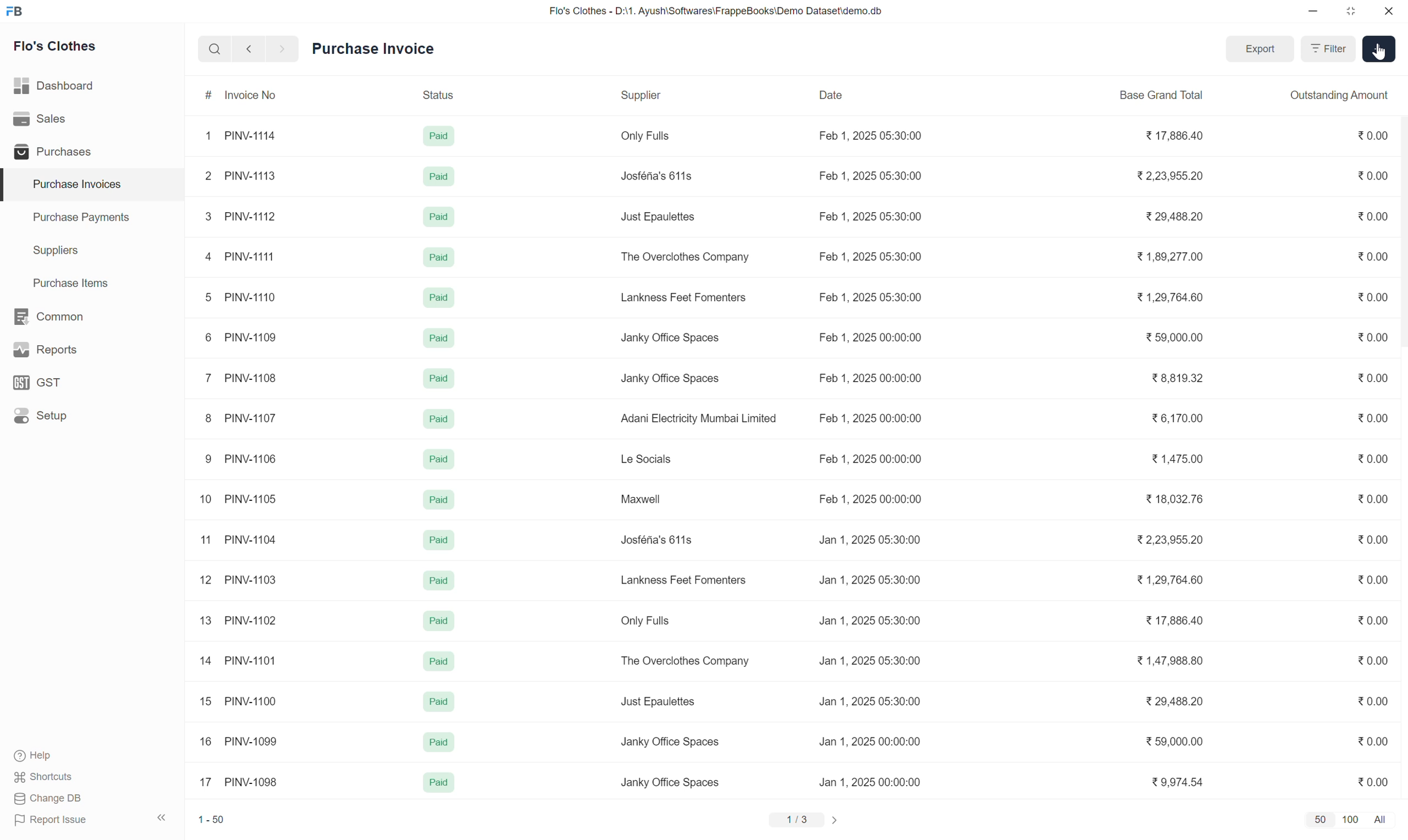  I want to click on All, so click(1381, 820).